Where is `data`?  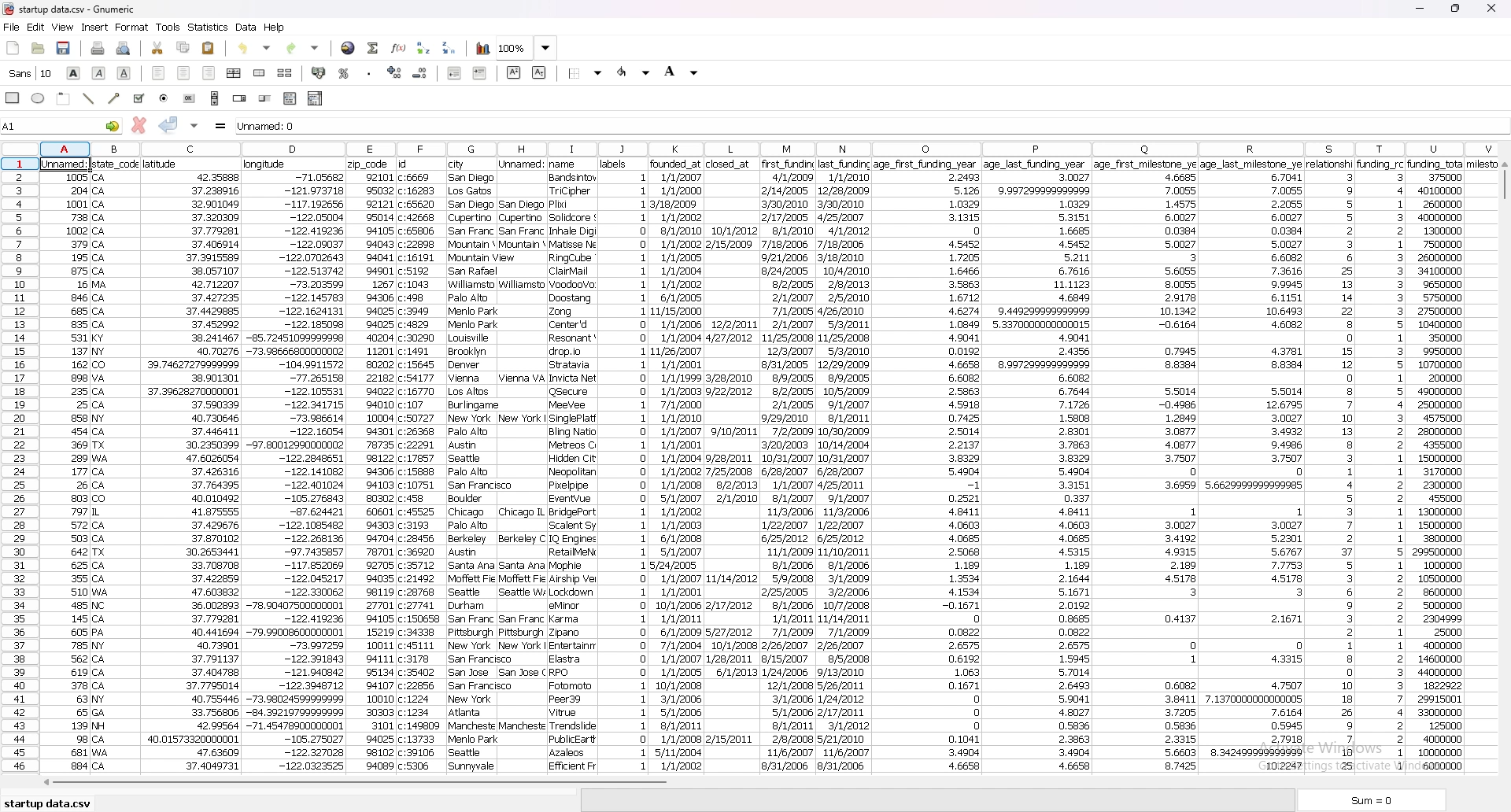 data is located at coordinates (372, 464).